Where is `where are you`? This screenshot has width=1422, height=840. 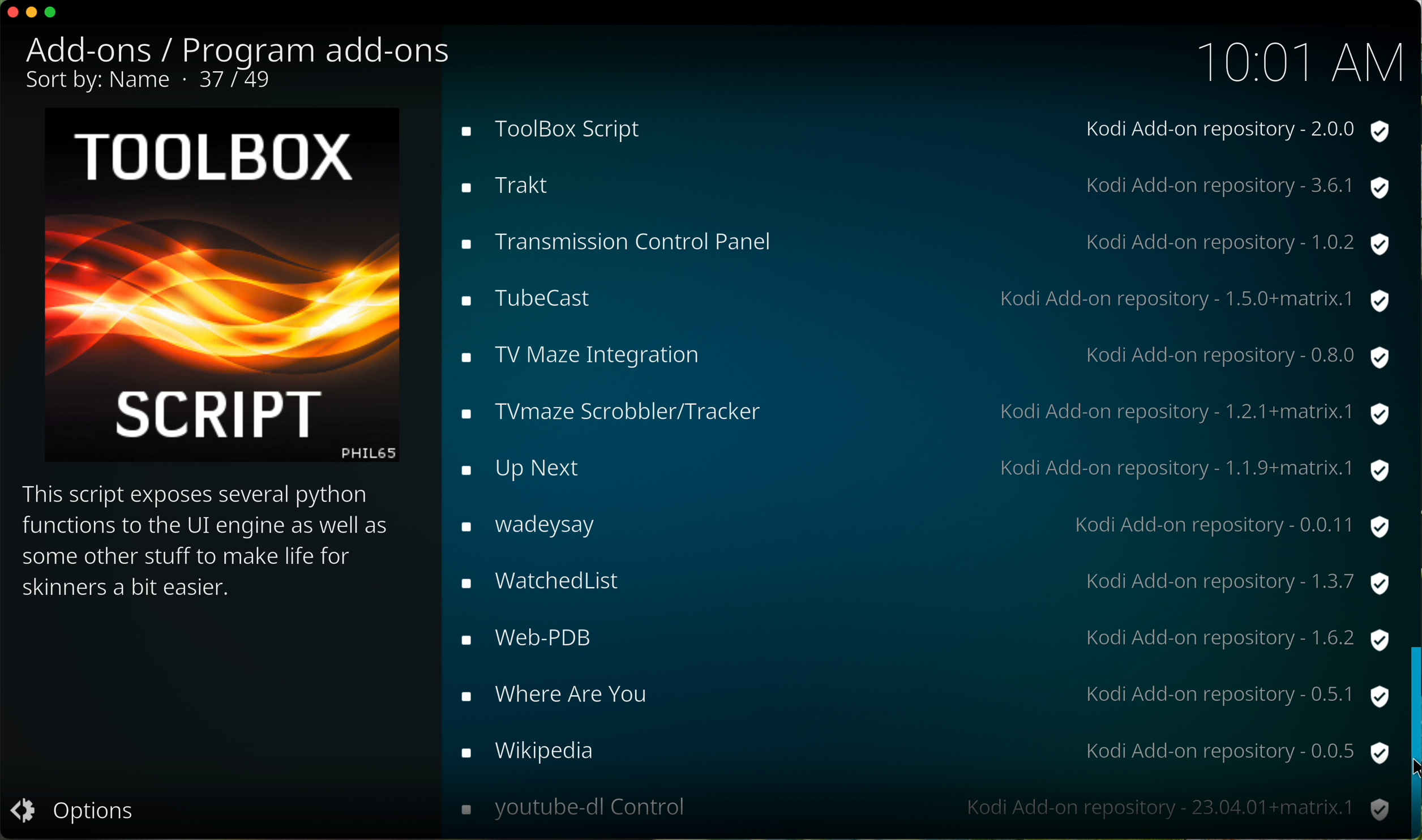 where are you is located at coordinates (927, 693).